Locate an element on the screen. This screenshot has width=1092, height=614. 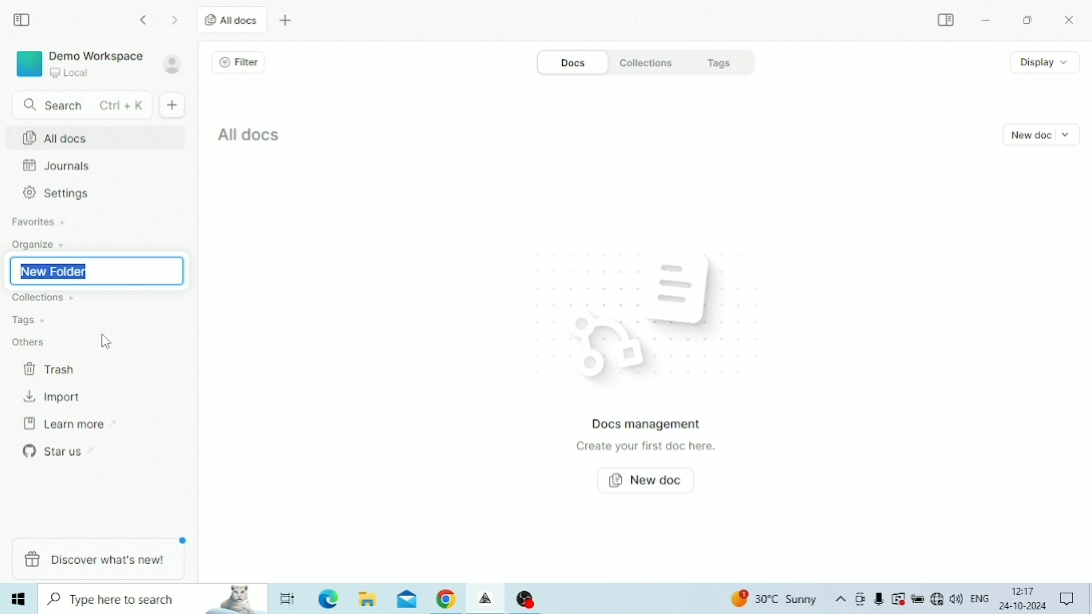
Display is located at coordinates (1045, 63).